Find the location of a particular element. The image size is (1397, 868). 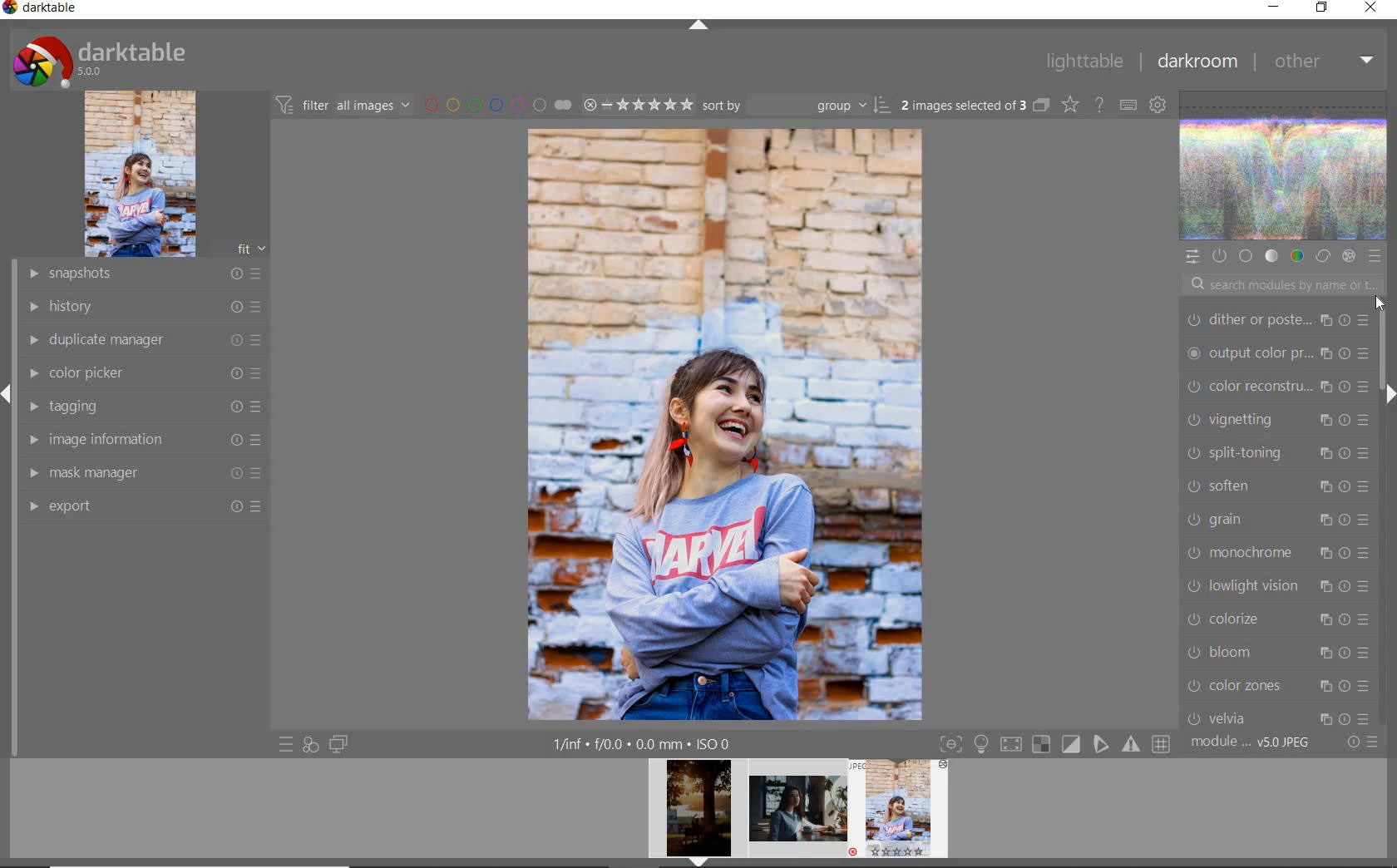

enlarge canvas is located at coordinates (1277, 550).